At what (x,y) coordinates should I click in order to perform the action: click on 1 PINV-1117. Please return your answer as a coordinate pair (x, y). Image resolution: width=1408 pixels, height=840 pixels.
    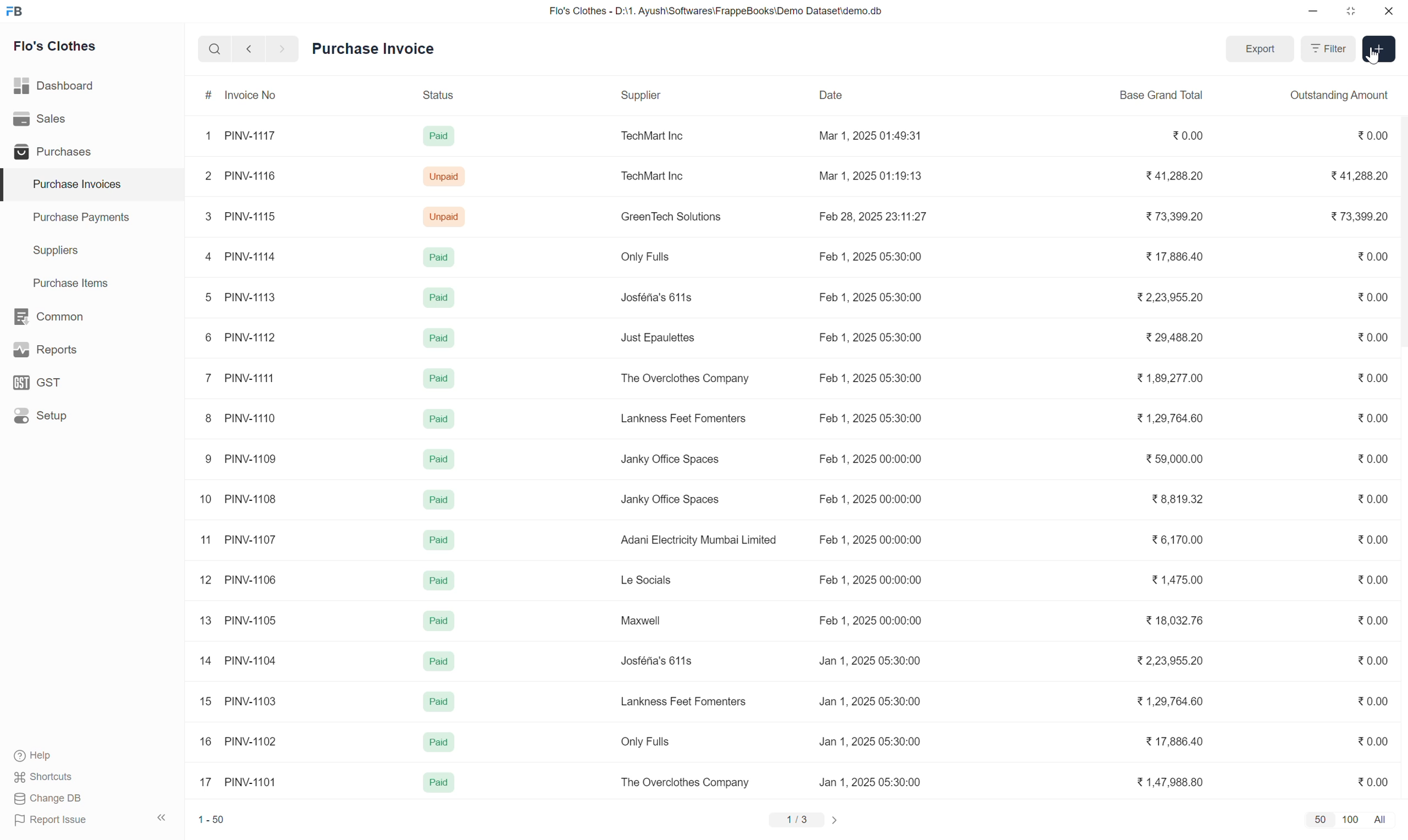
    Looking at the image, I should click on (241, 136).